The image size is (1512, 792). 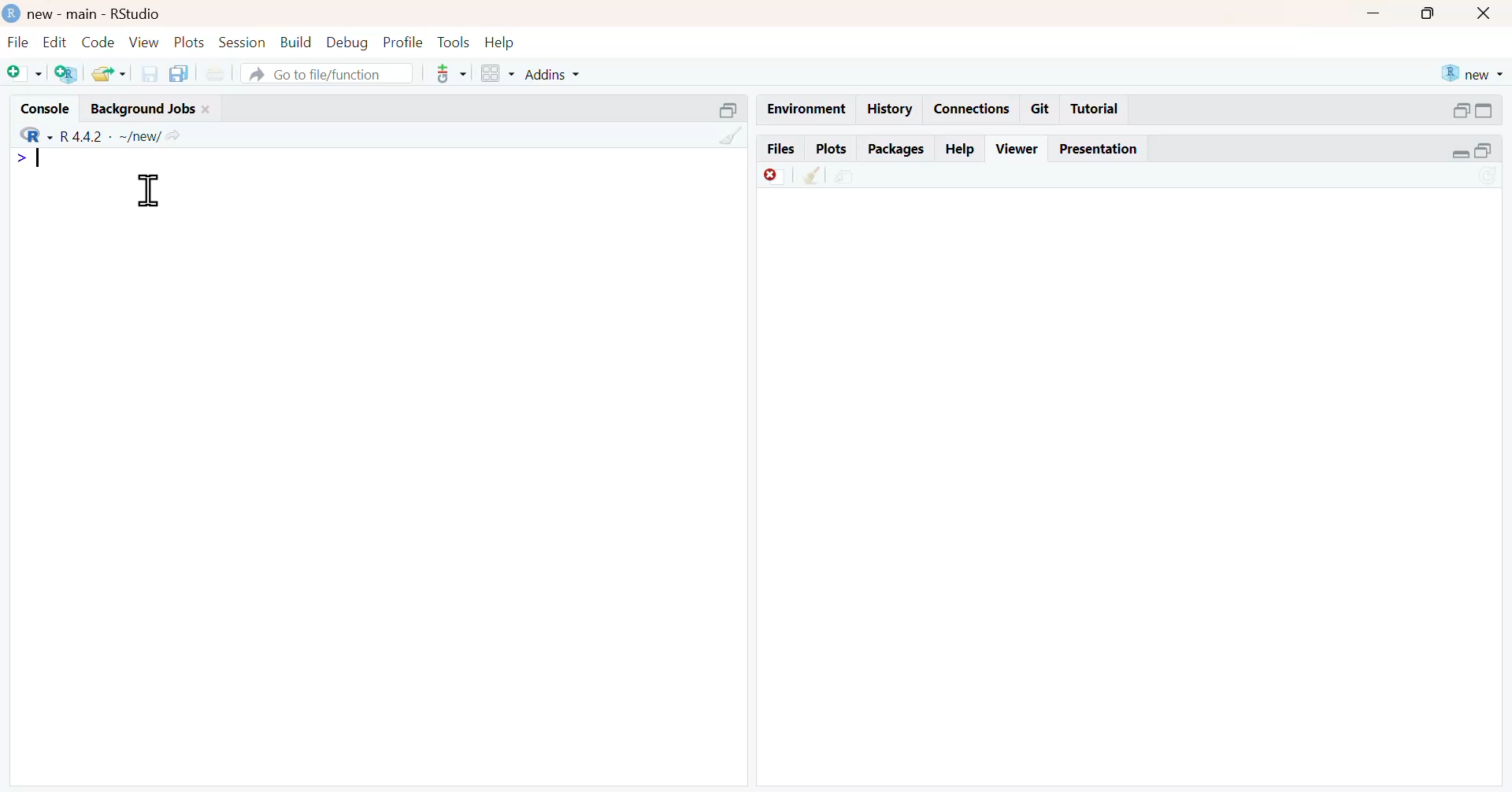 What do you see at coordinates (210, 108) in the screenshot?
I see `close` at bounding box center [210, 108].